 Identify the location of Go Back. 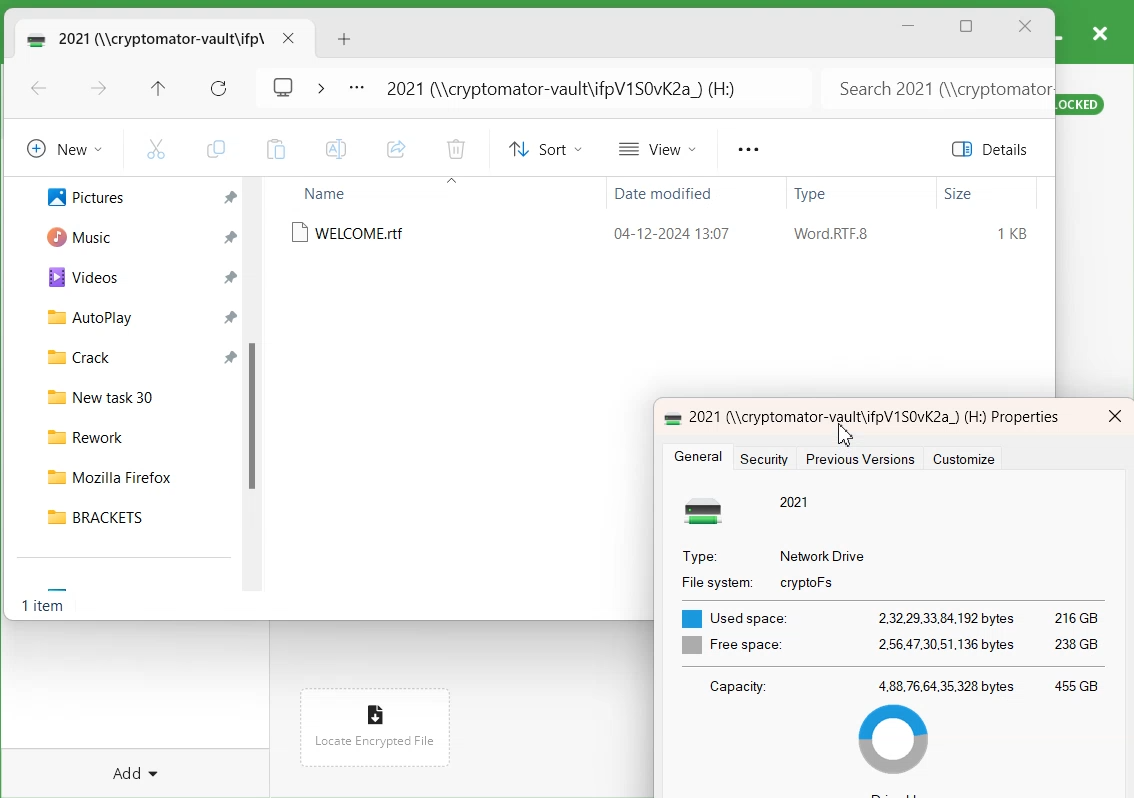
(39, 90).